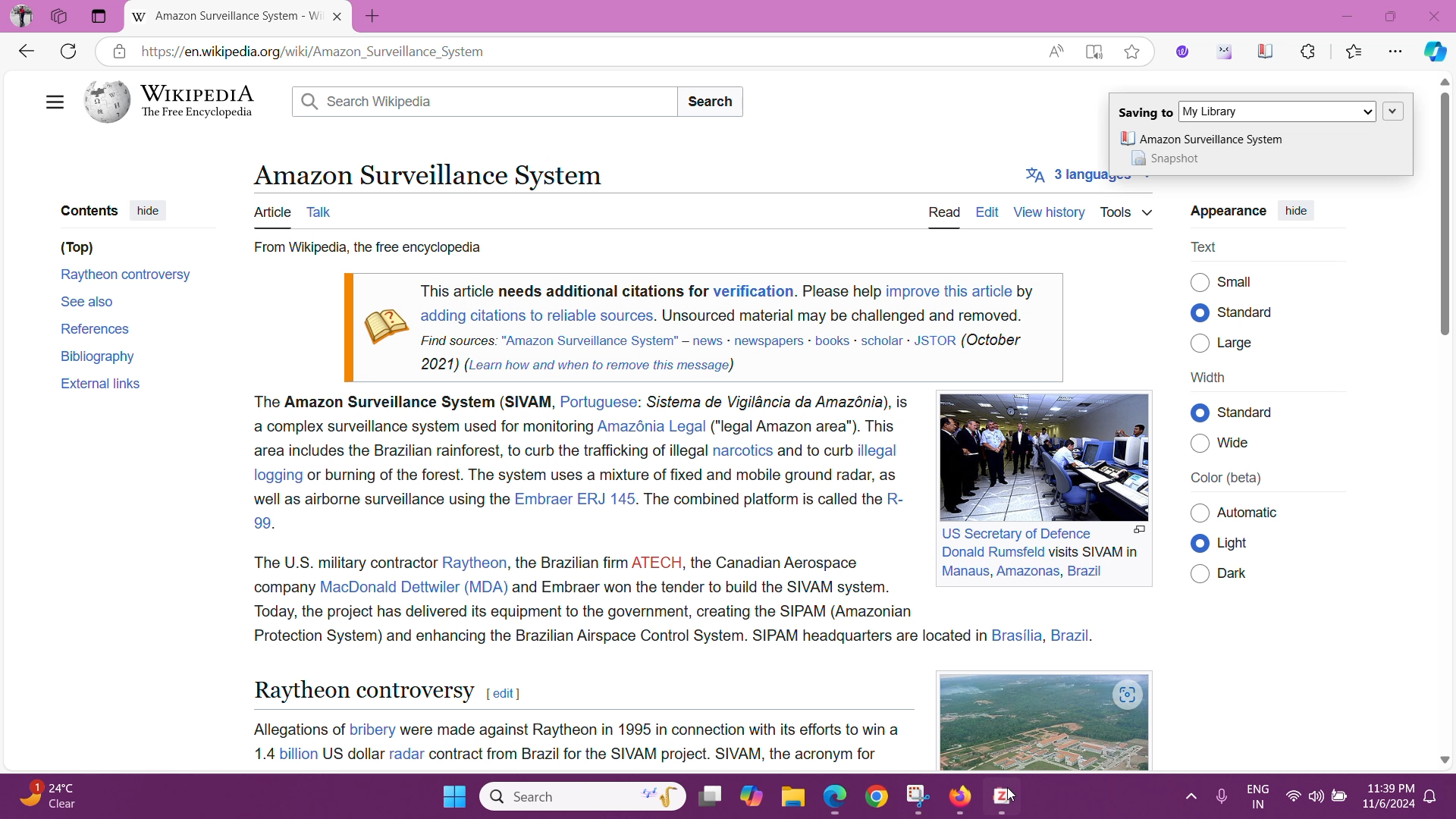  Describe the element at coordinates (762, 499) in the screenshot. I see `The combined platform is called the` at that location.